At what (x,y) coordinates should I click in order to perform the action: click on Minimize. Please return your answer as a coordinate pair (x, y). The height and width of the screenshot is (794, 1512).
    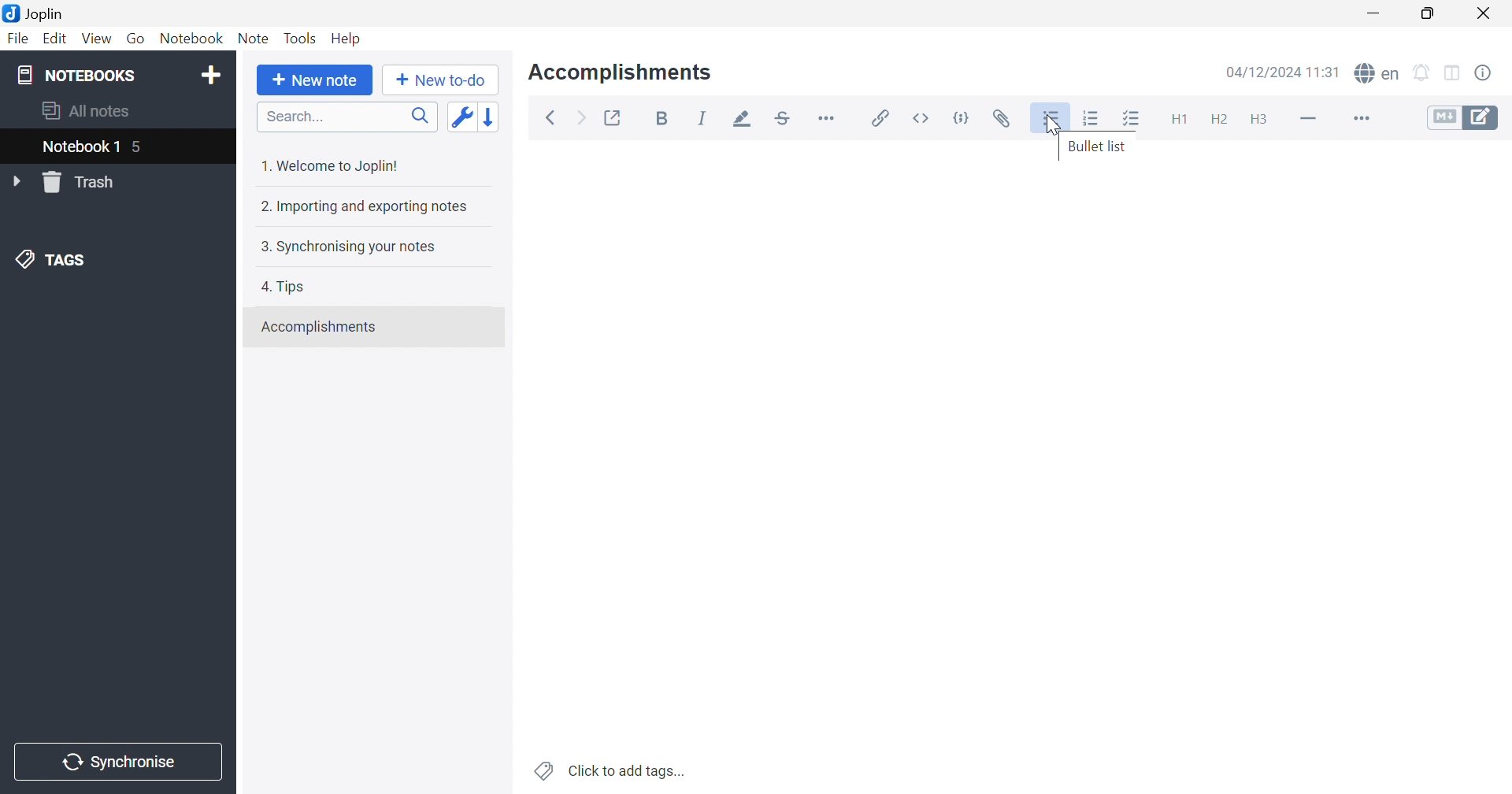
    Looking at the image, I should click on (1372, 14).